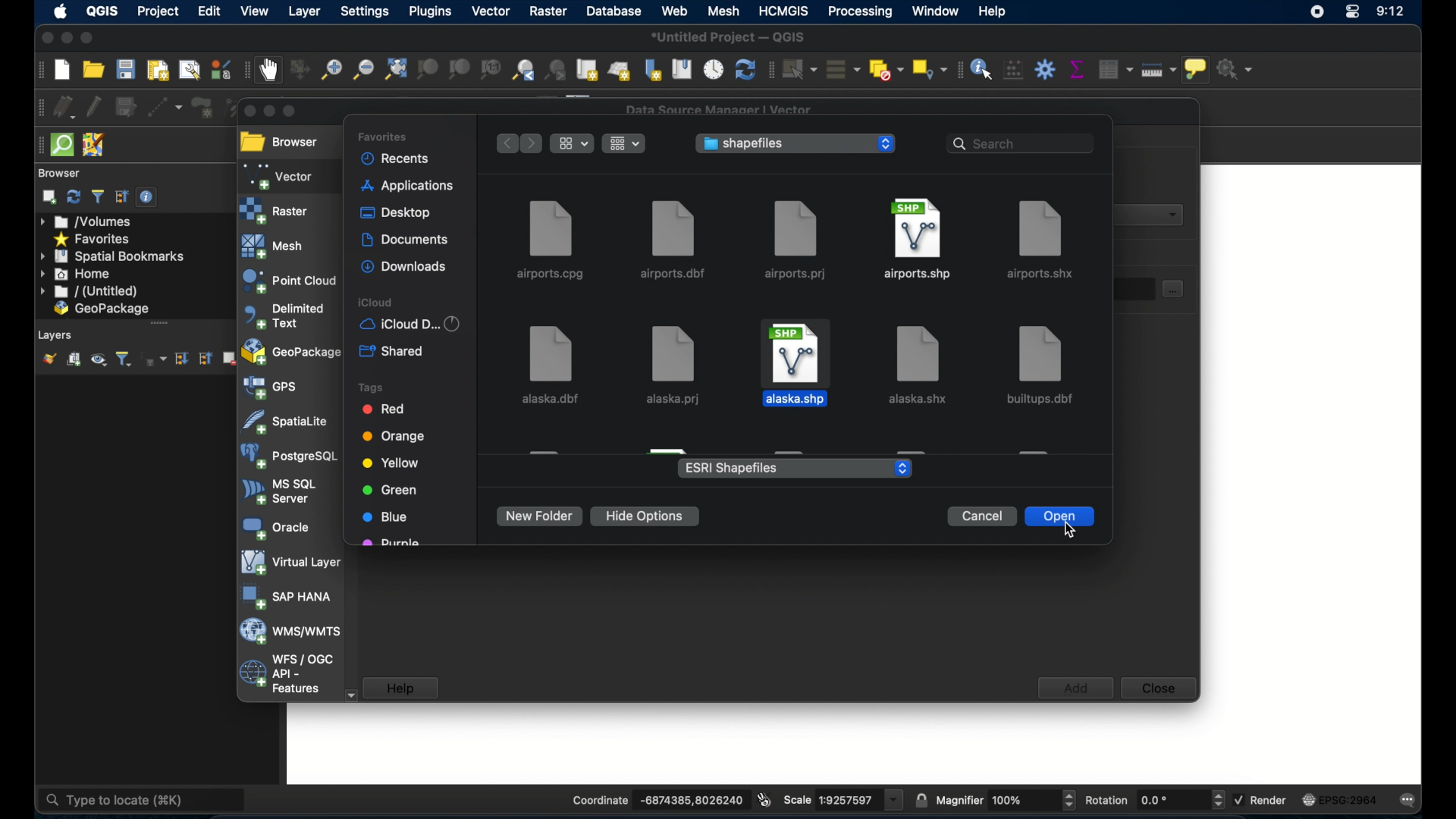 The height and width of the screenshot is (819, 1456). Describe the element at coordinates (726, 109) in the screenshot. I see `Data Source manager Vector` at that location.